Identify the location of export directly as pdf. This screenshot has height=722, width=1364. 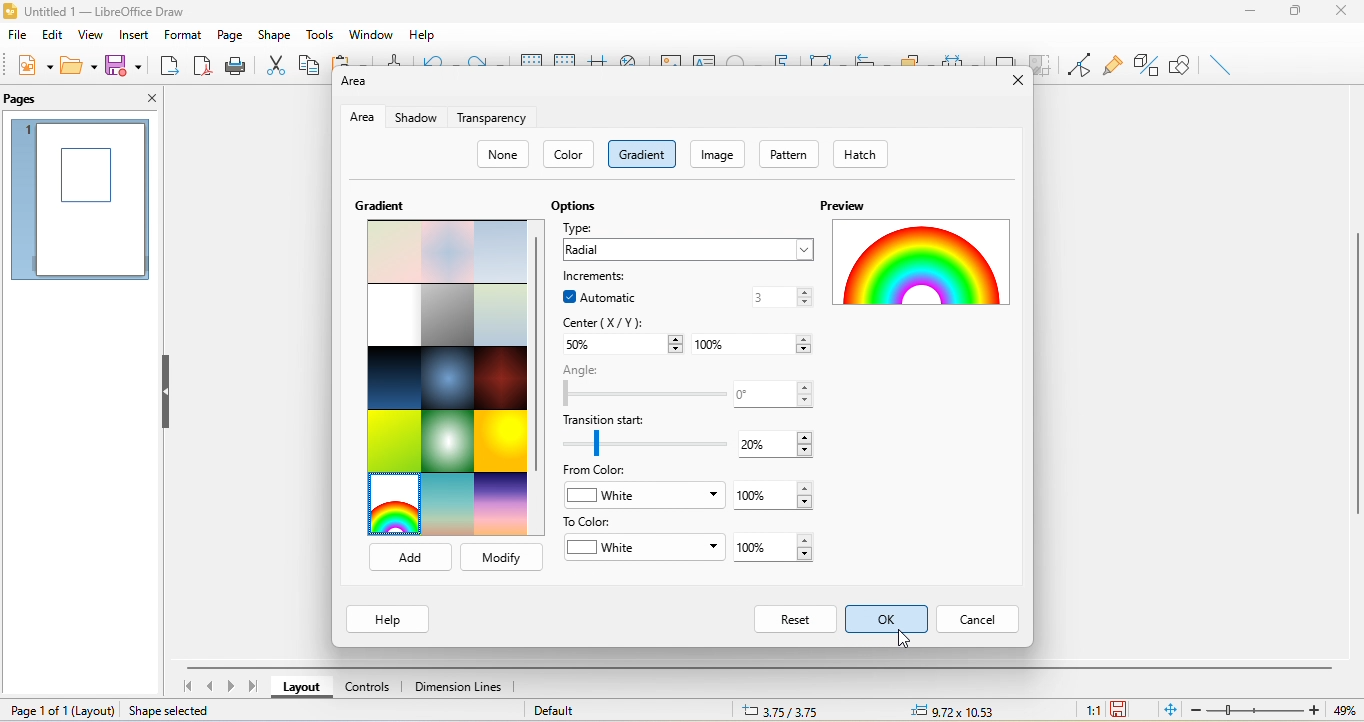
(201, 67).